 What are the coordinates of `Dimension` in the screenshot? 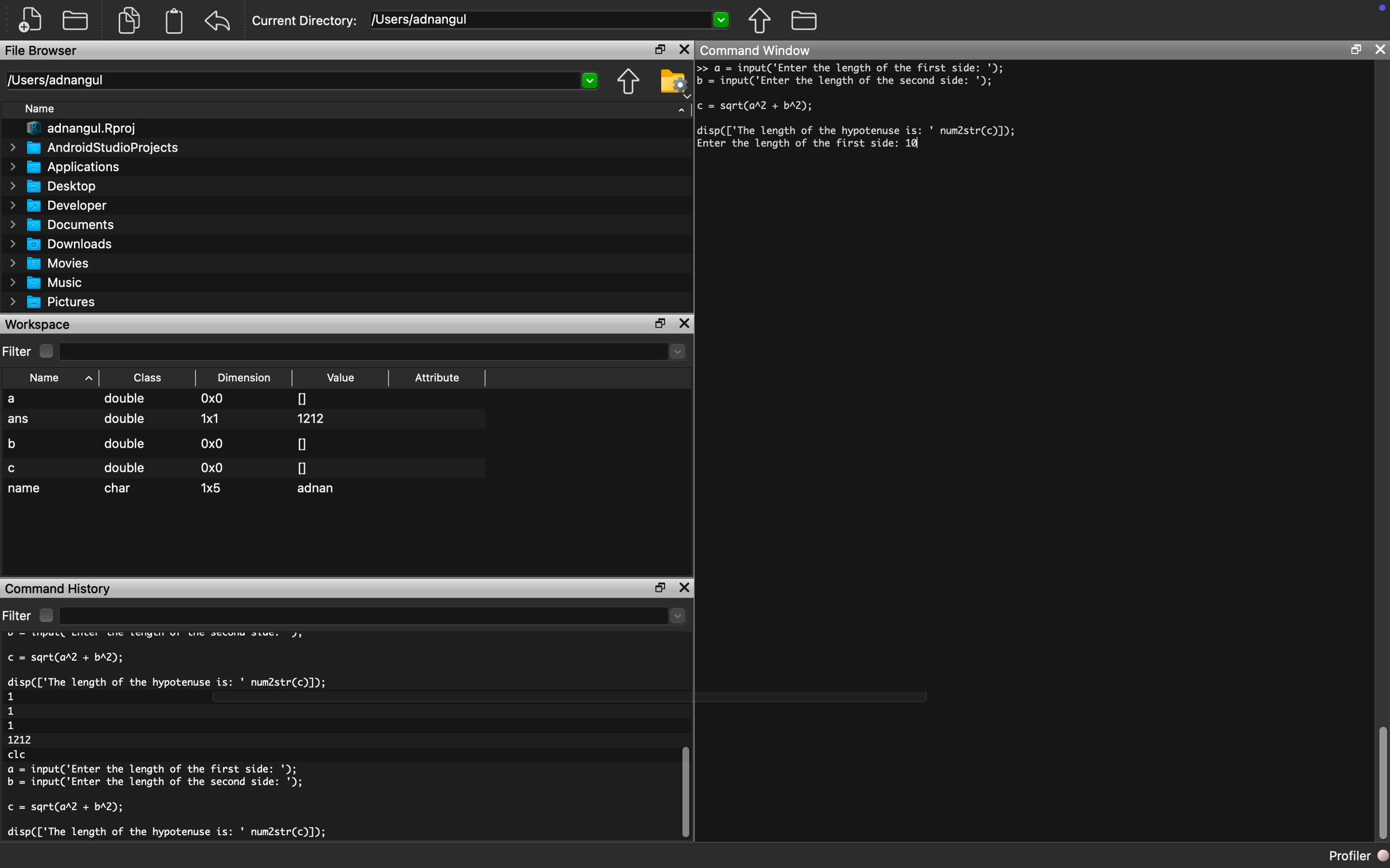 It's located at (248, 378).